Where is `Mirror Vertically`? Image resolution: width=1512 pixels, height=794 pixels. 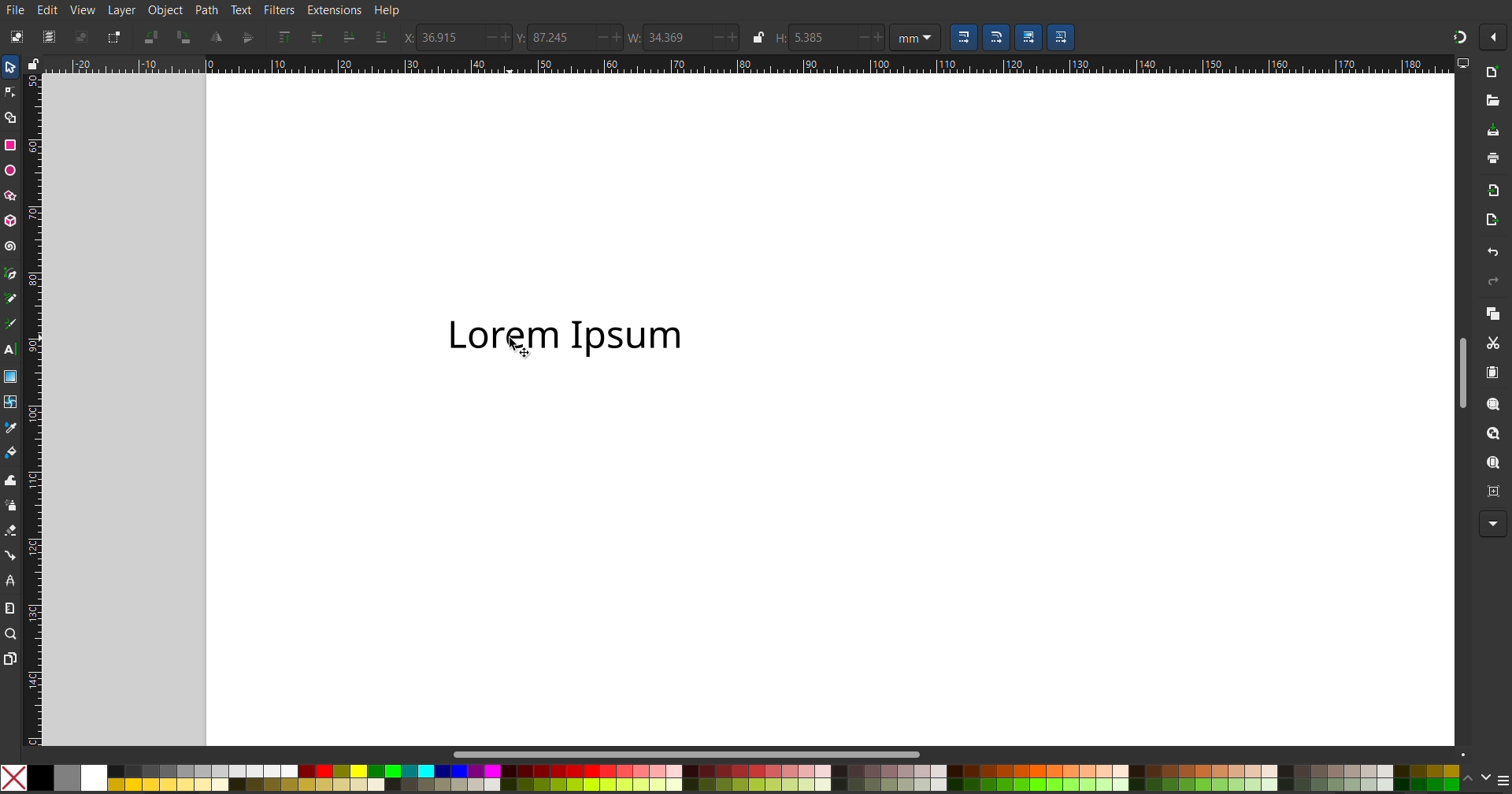 Mirror Vertically is located at coordinates (217, 39).